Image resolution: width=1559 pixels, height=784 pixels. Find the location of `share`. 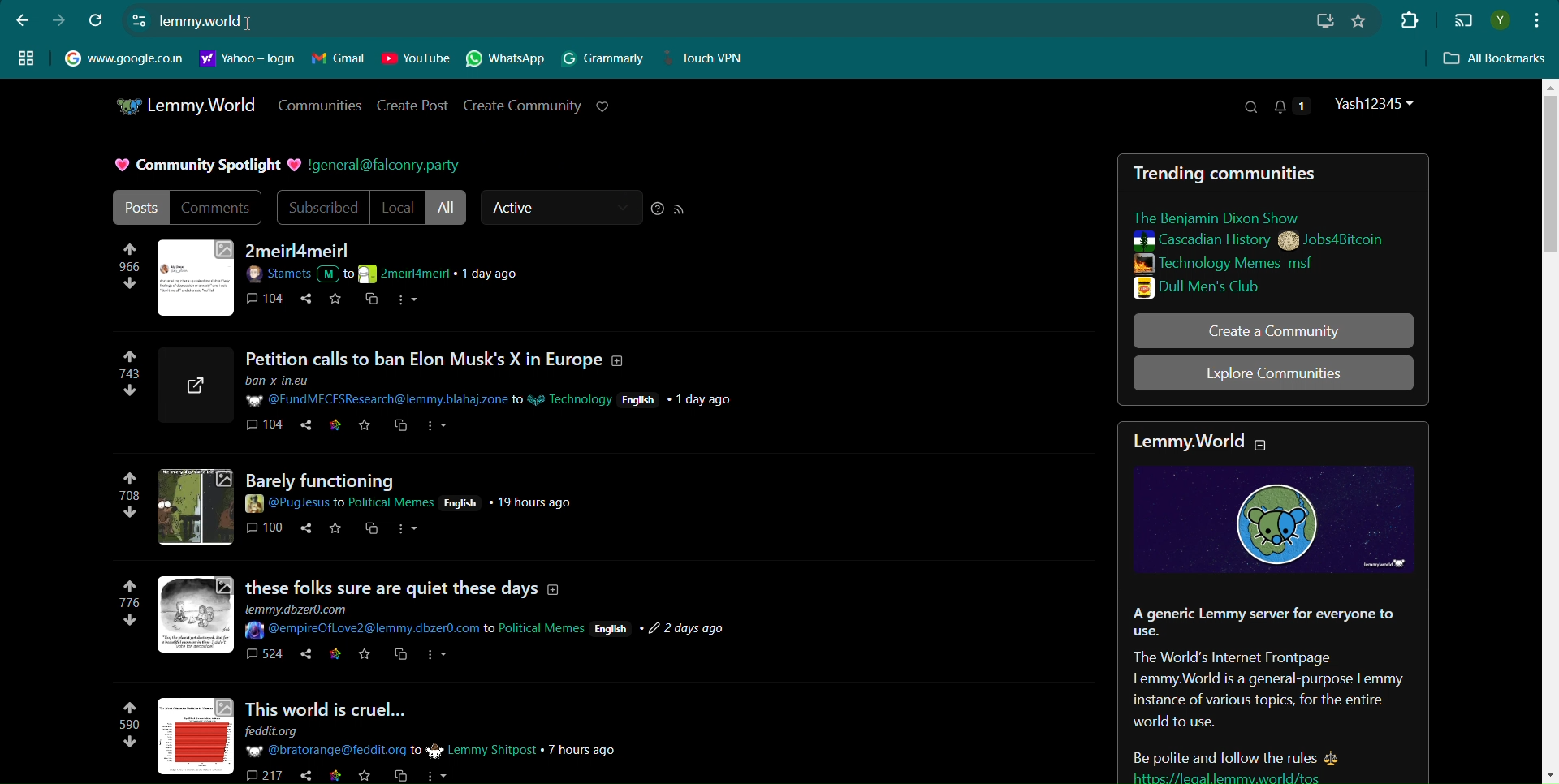

share is located at coordinates (301, 776).